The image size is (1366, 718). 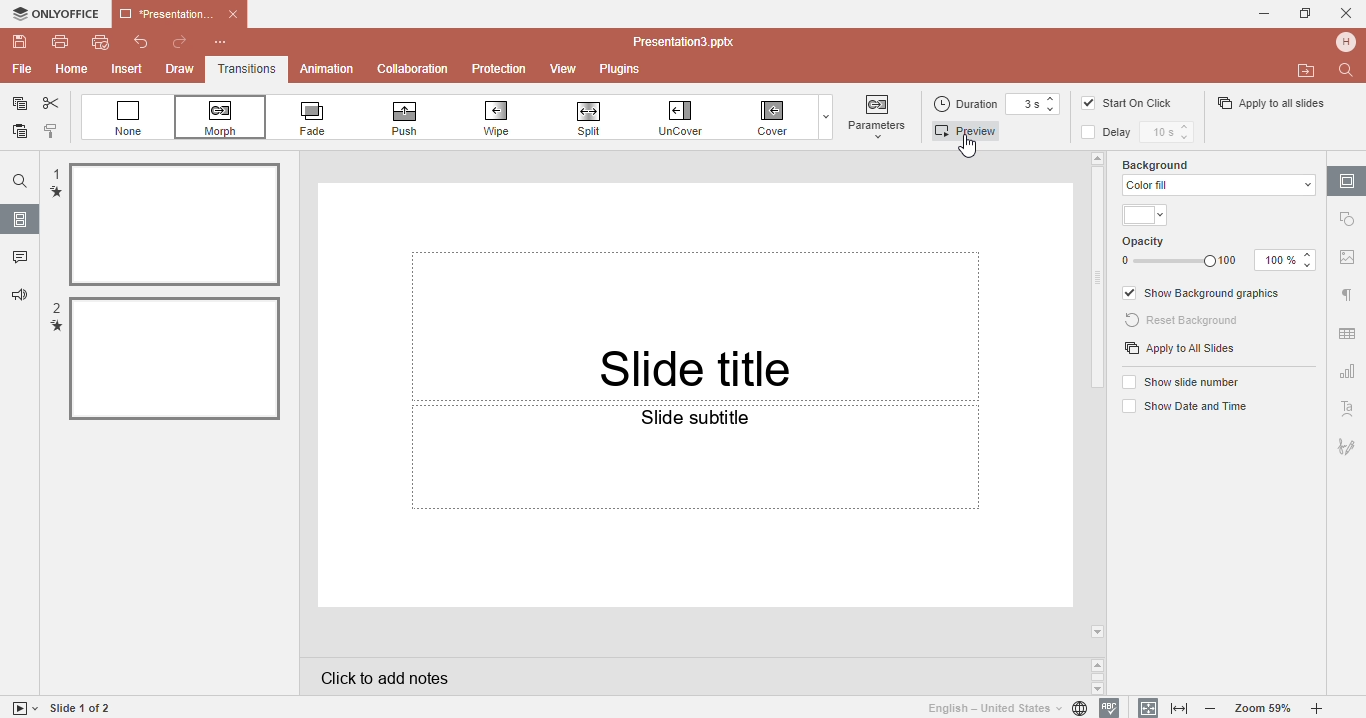 What do you see at coordinates (1138, 103) in the screenshot?
I see `Start on click` at bounding box center [1138, 103].